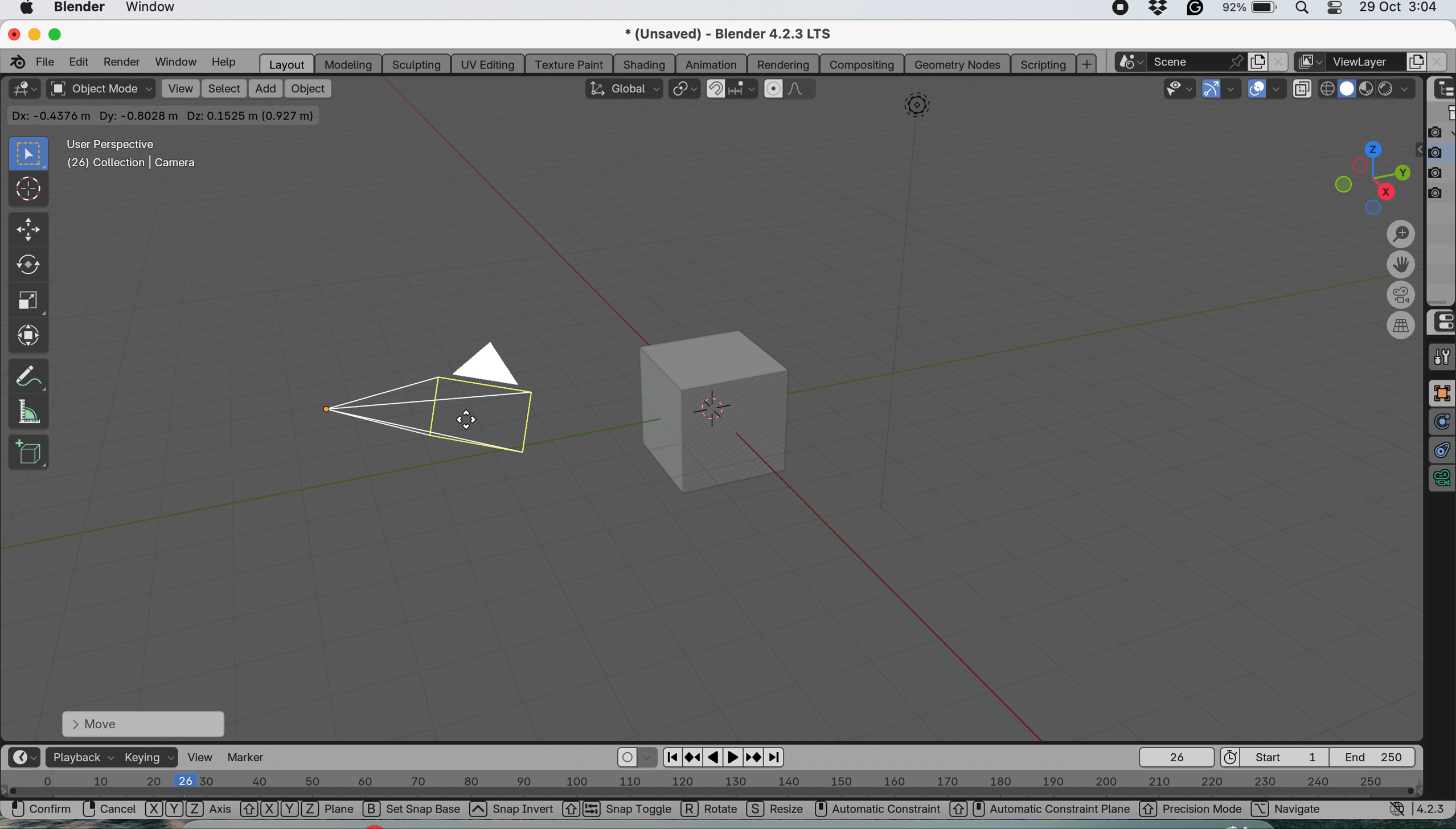 This screenshot has height=829, width=1456. Describe the element at coordinates (1441, 393) in the screenshot. I see `full screen` at that location.